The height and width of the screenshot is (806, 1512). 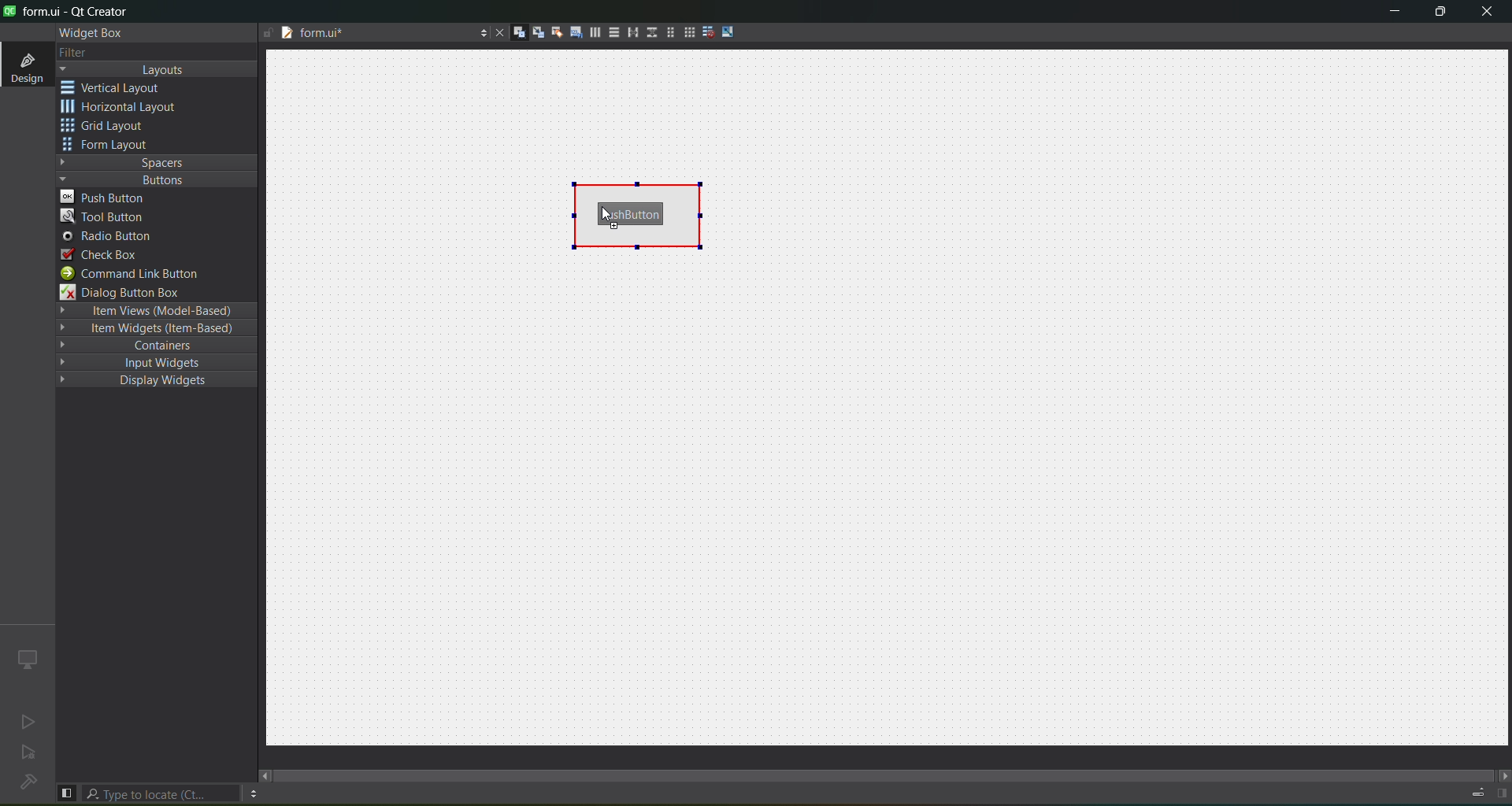 What do you see at coordinates (154, 179) in the screenshot?
I see `button` at bounding box center [154, 179].